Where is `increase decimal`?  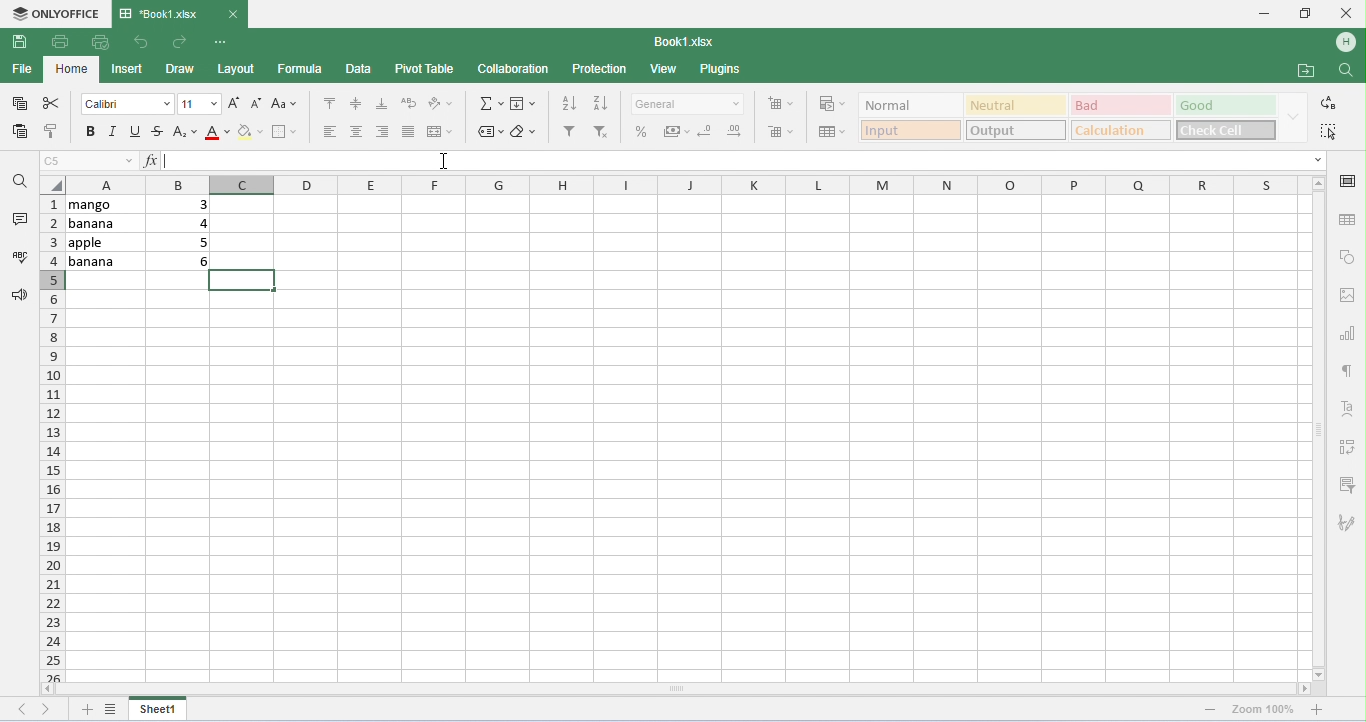 increase decimal is located at coordinates (734, 131).